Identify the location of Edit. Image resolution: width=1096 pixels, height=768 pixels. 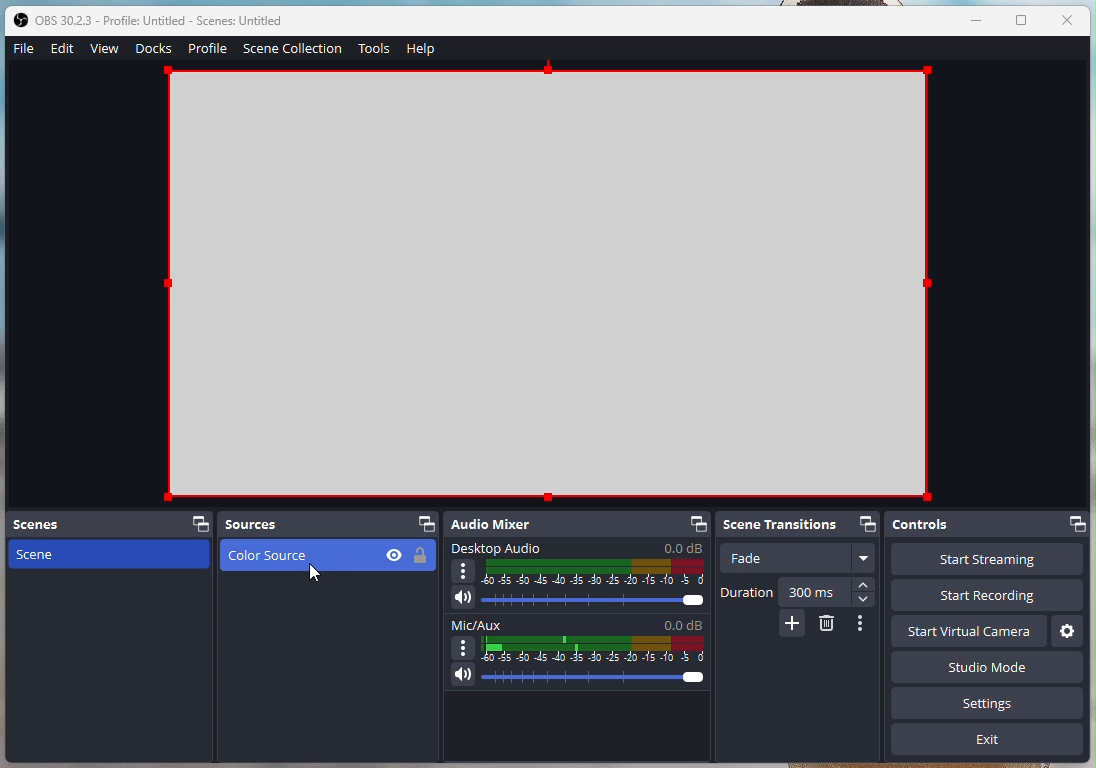
(65, 50).